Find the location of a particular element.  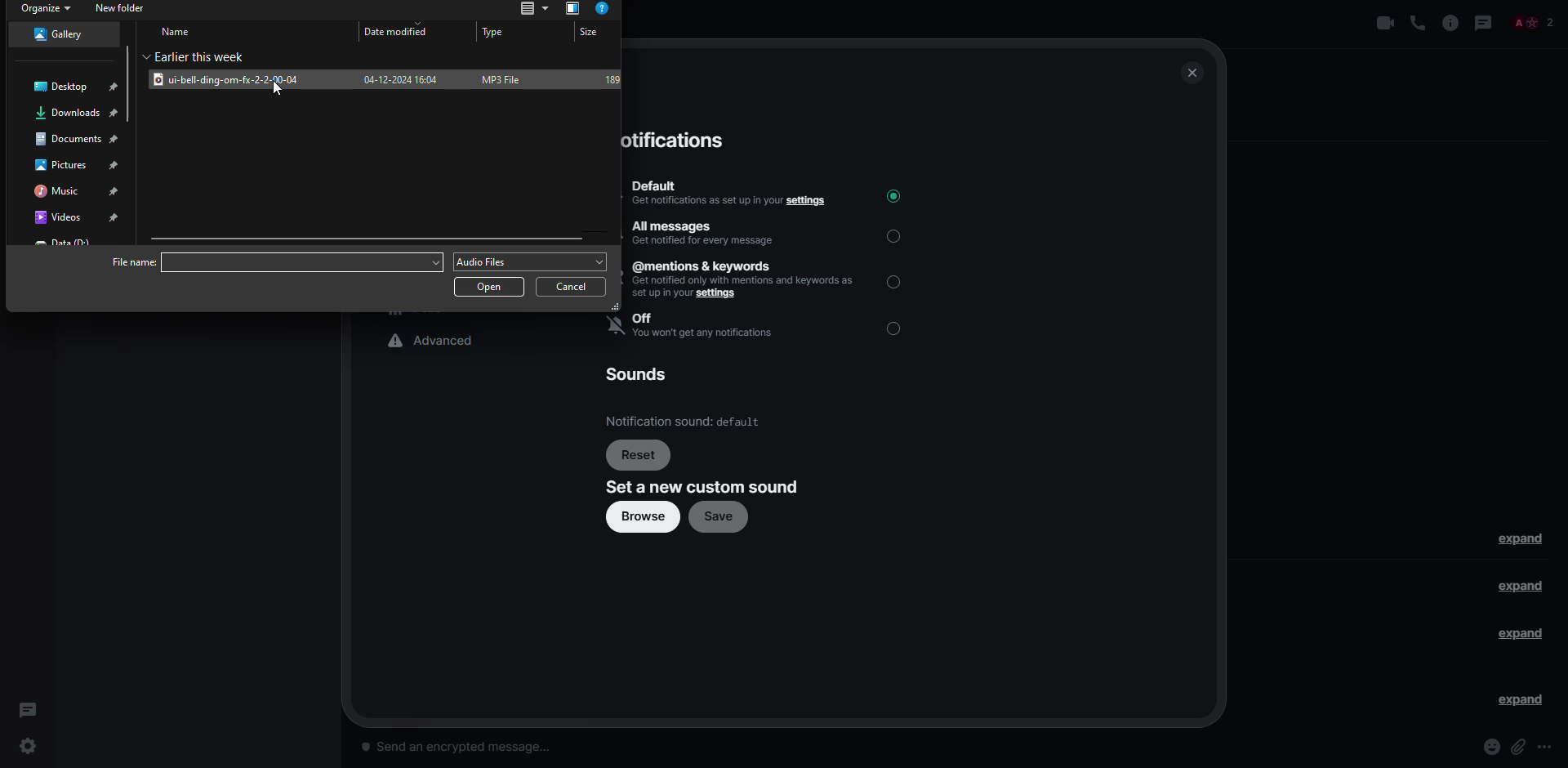

Off you won't get any notification is located at coordinates (708, 327).